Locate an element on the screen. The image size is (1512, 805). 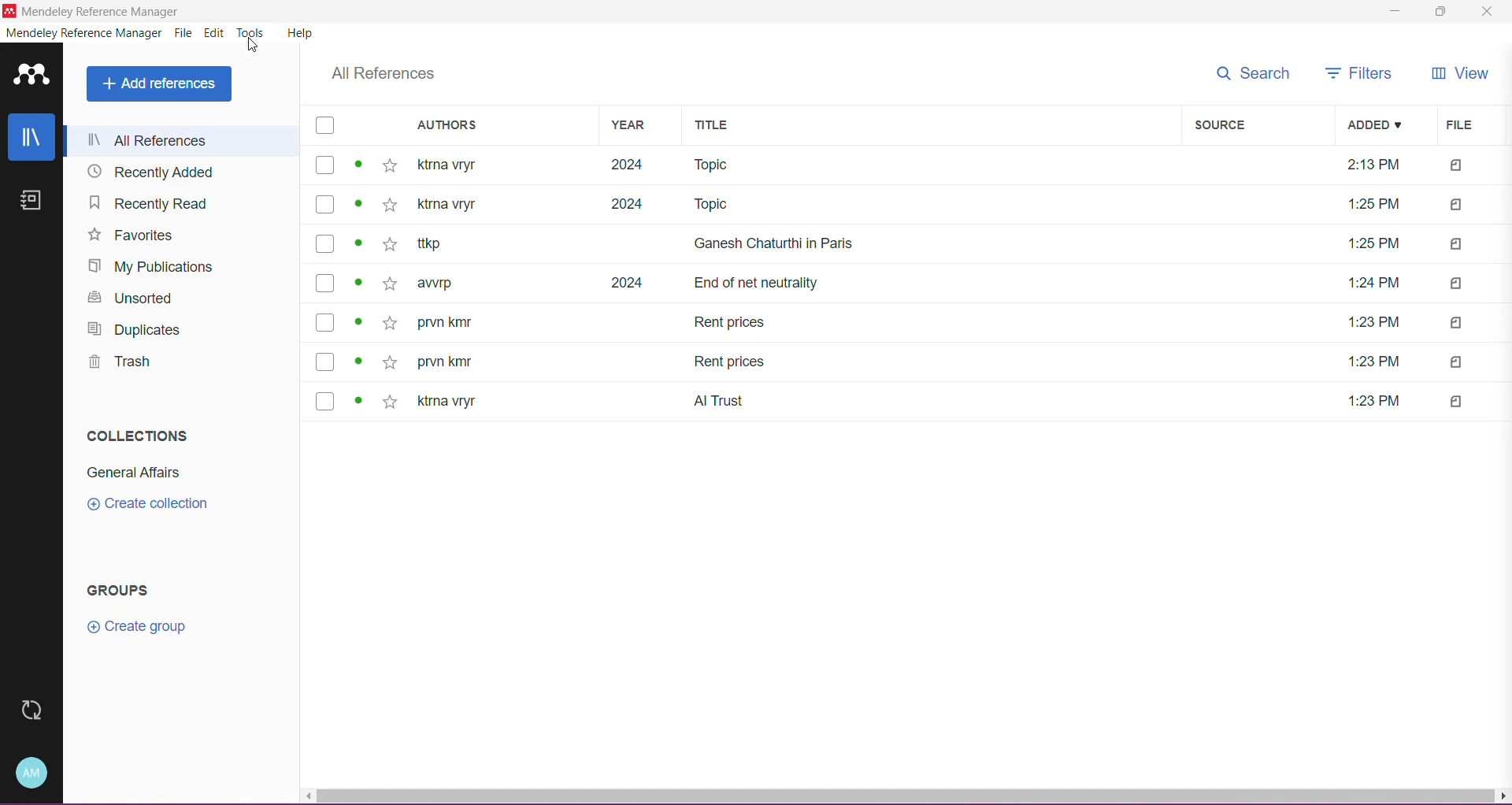
checkbox is located at coordinates (327, 361).